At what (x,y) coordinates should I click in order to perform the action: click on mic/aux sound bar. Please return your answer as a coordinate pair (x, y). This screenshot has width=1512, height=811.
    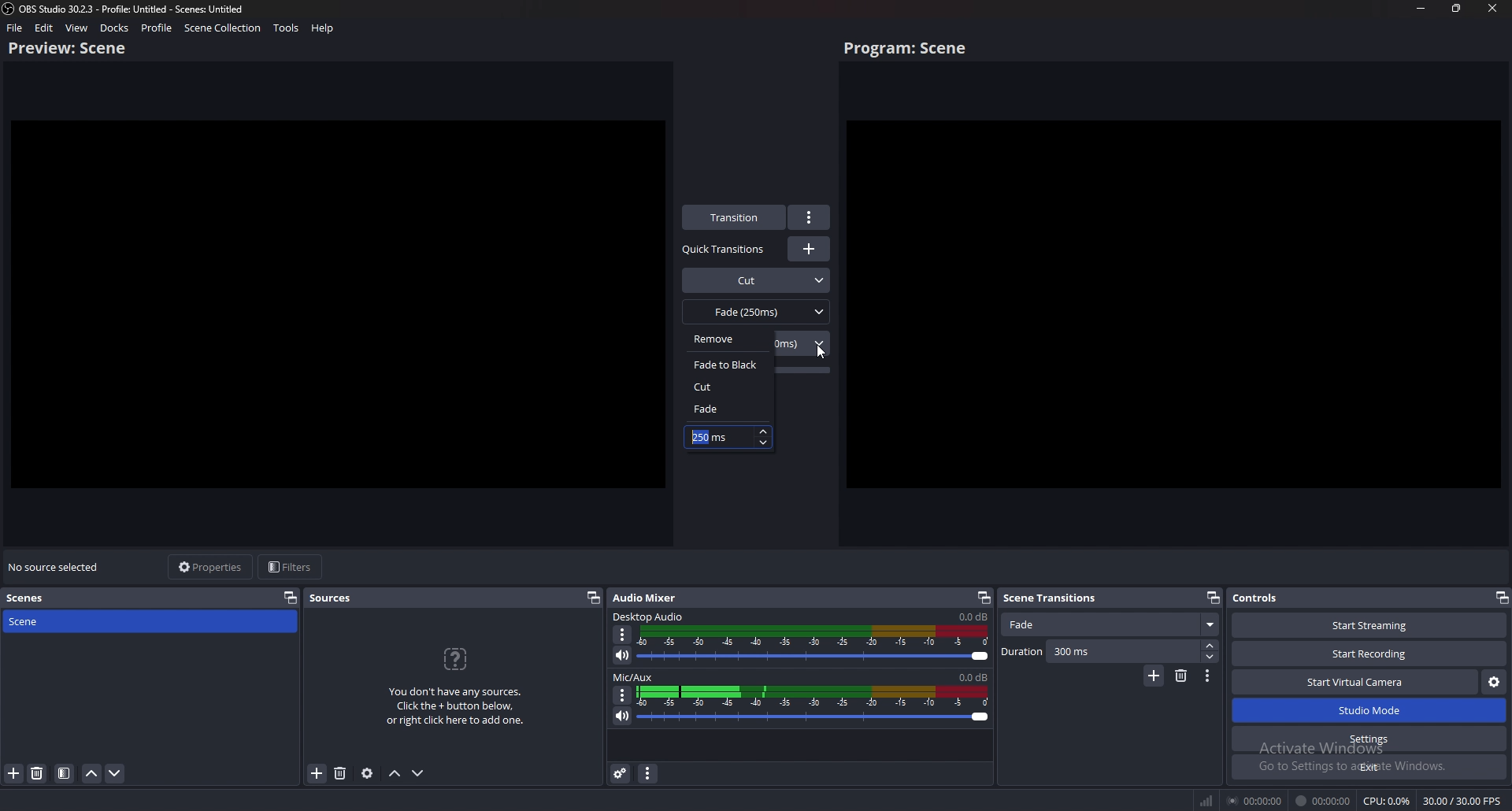
    Looking at the image, I should click on (814, 706).